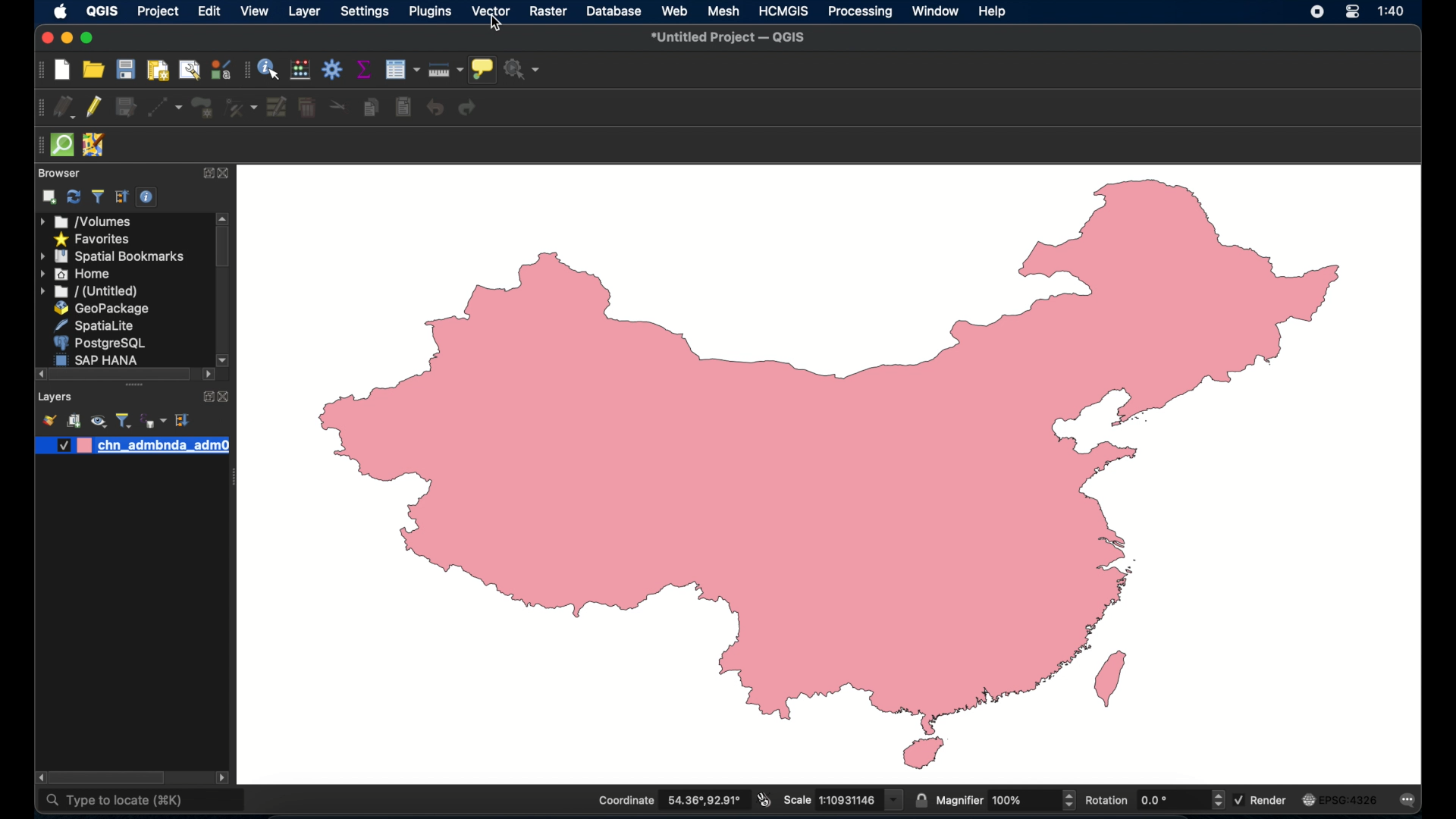  I want to click on time, so click(1394, 11).